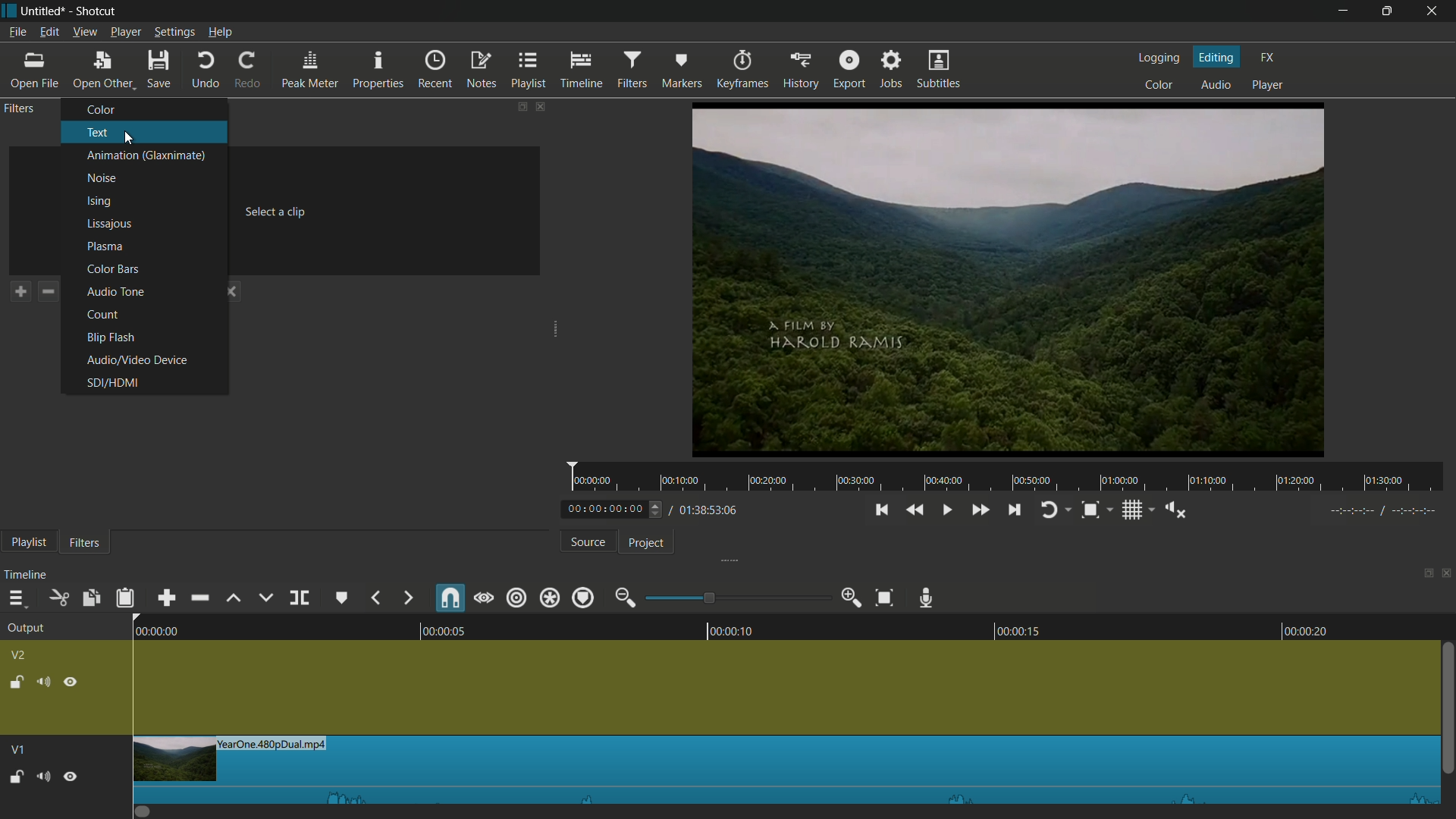 Image resolution: width=1456 pixels, height=819 pixels. I want to click on toggle grid, so click(1131, 510).